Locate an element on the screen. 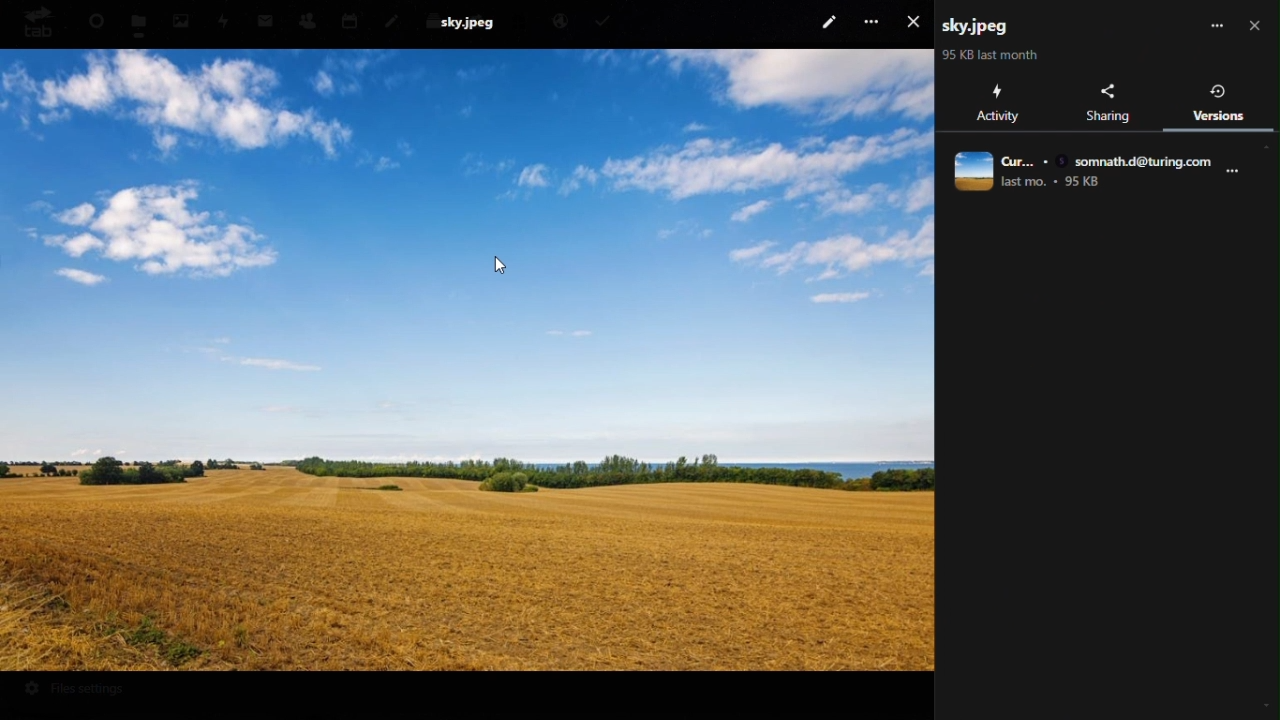  Versions is located at coordinates (1217, 100).